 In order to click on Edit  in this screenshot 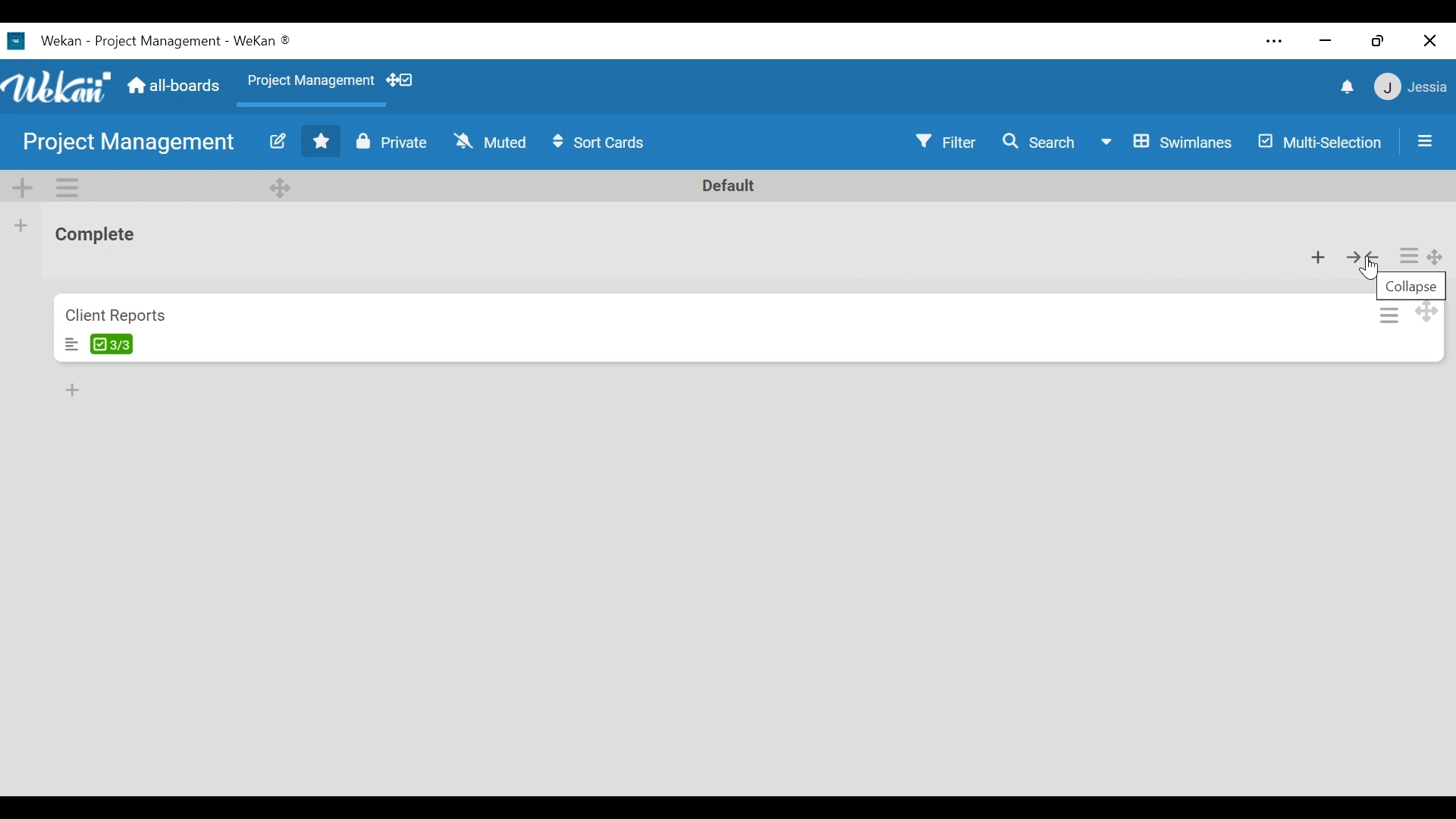, I will do `click(277, 140)`.